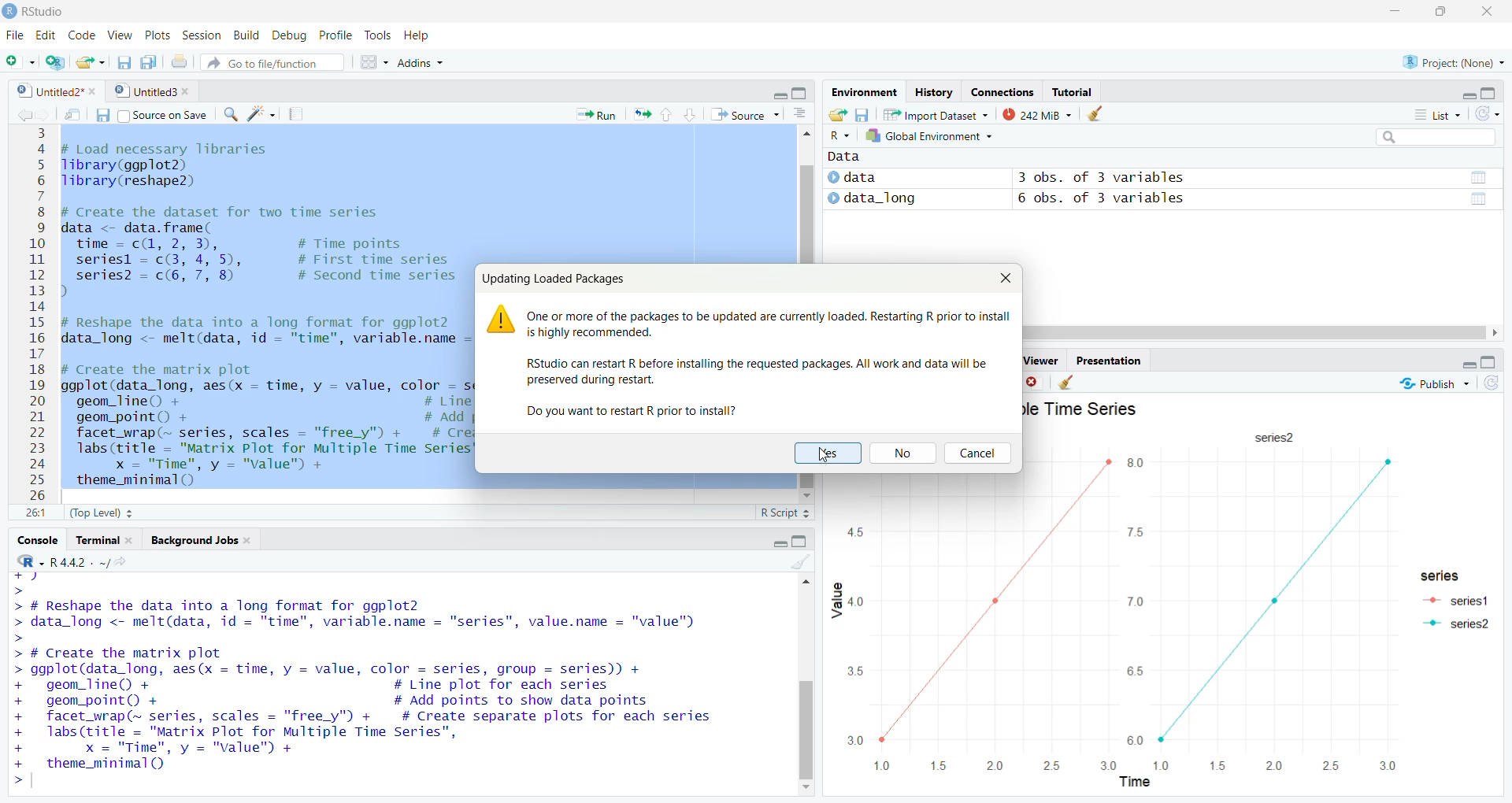 This screenshot has width=1512, height=803. I want to click on search, so click(229, 115).